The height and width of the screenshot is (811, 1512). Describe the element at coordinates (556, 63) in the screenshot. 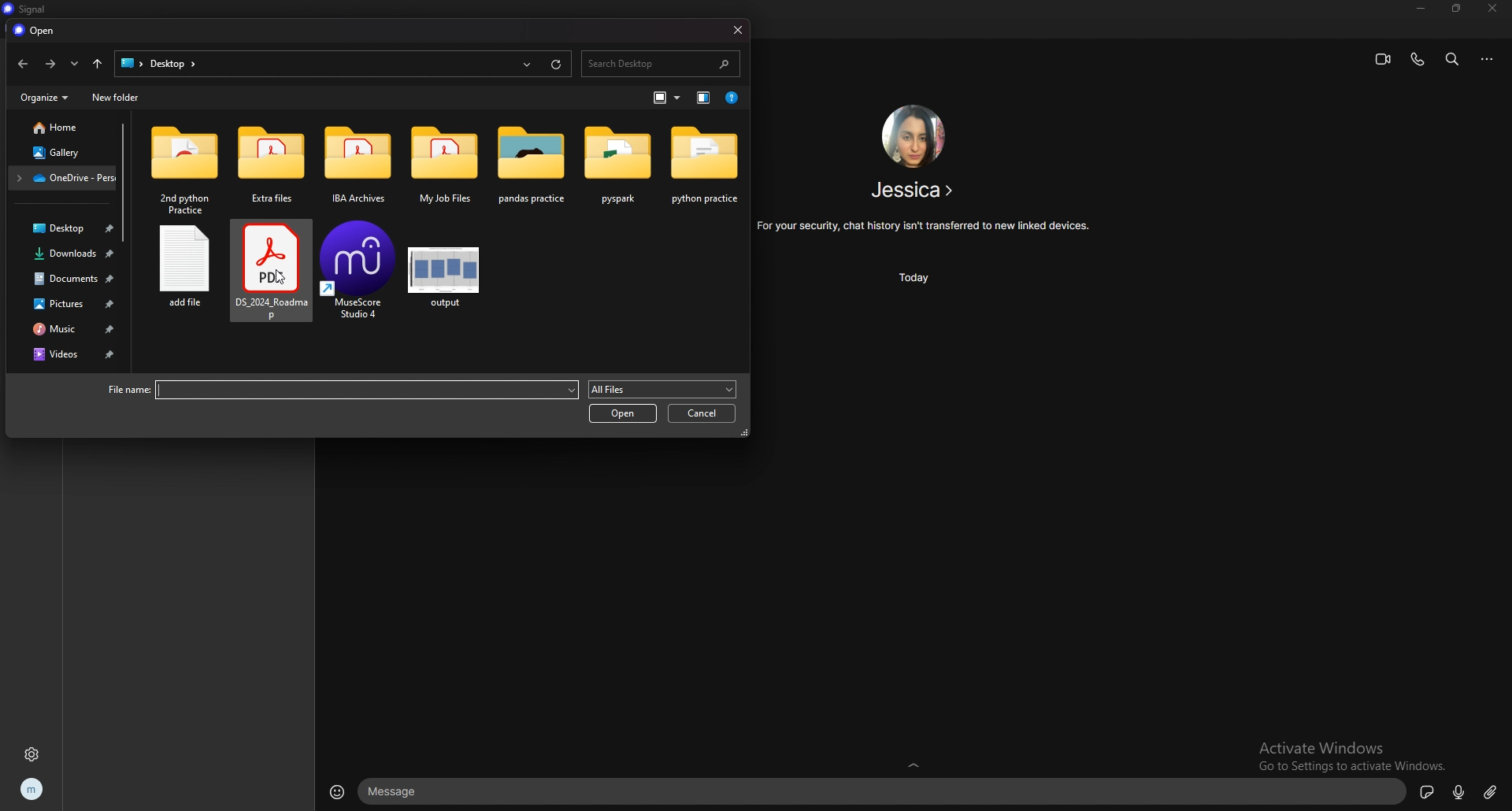

I see `refresh` at that location.